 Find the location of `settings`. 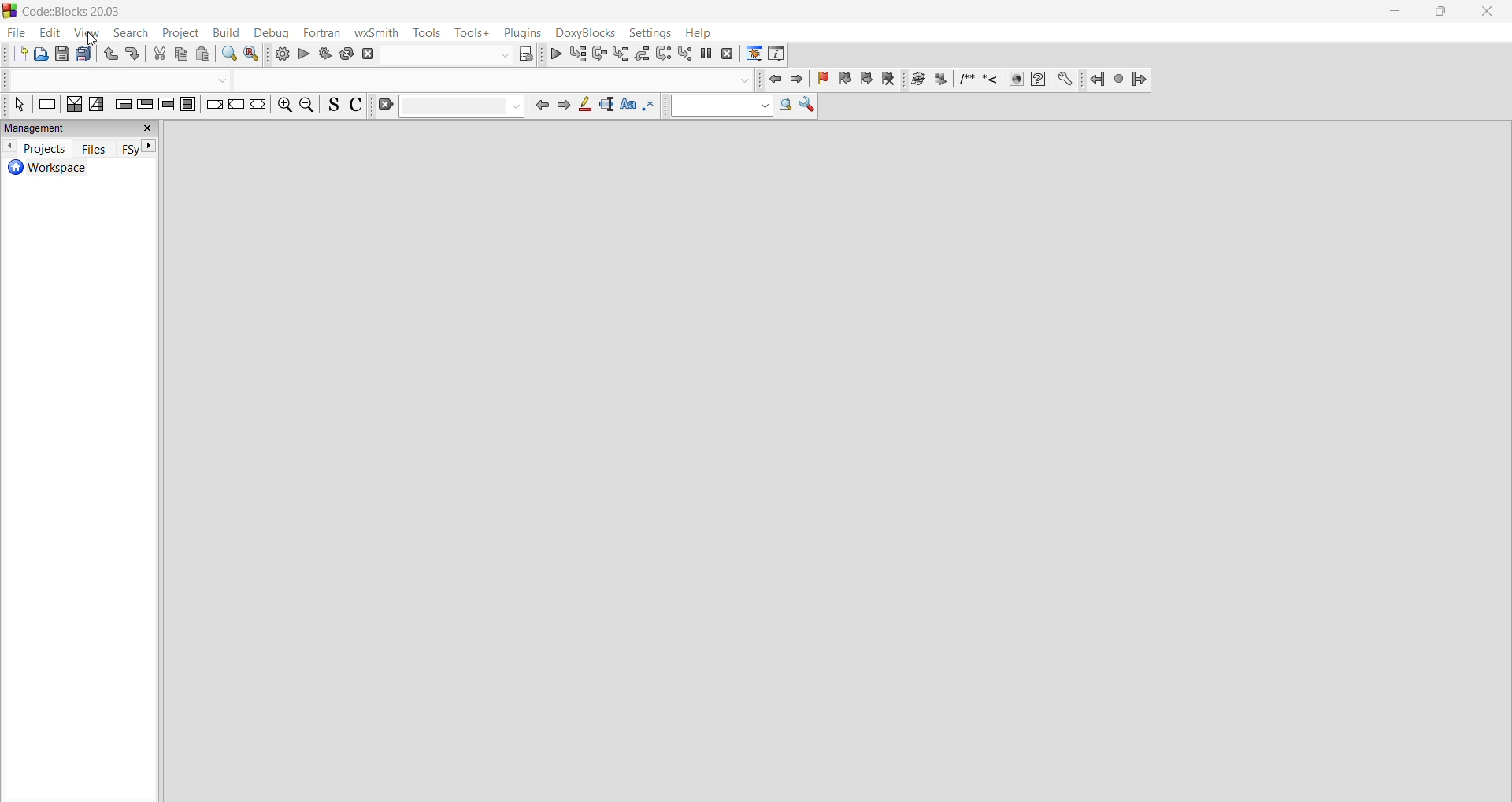

settings is located at coordinates (651, 32).